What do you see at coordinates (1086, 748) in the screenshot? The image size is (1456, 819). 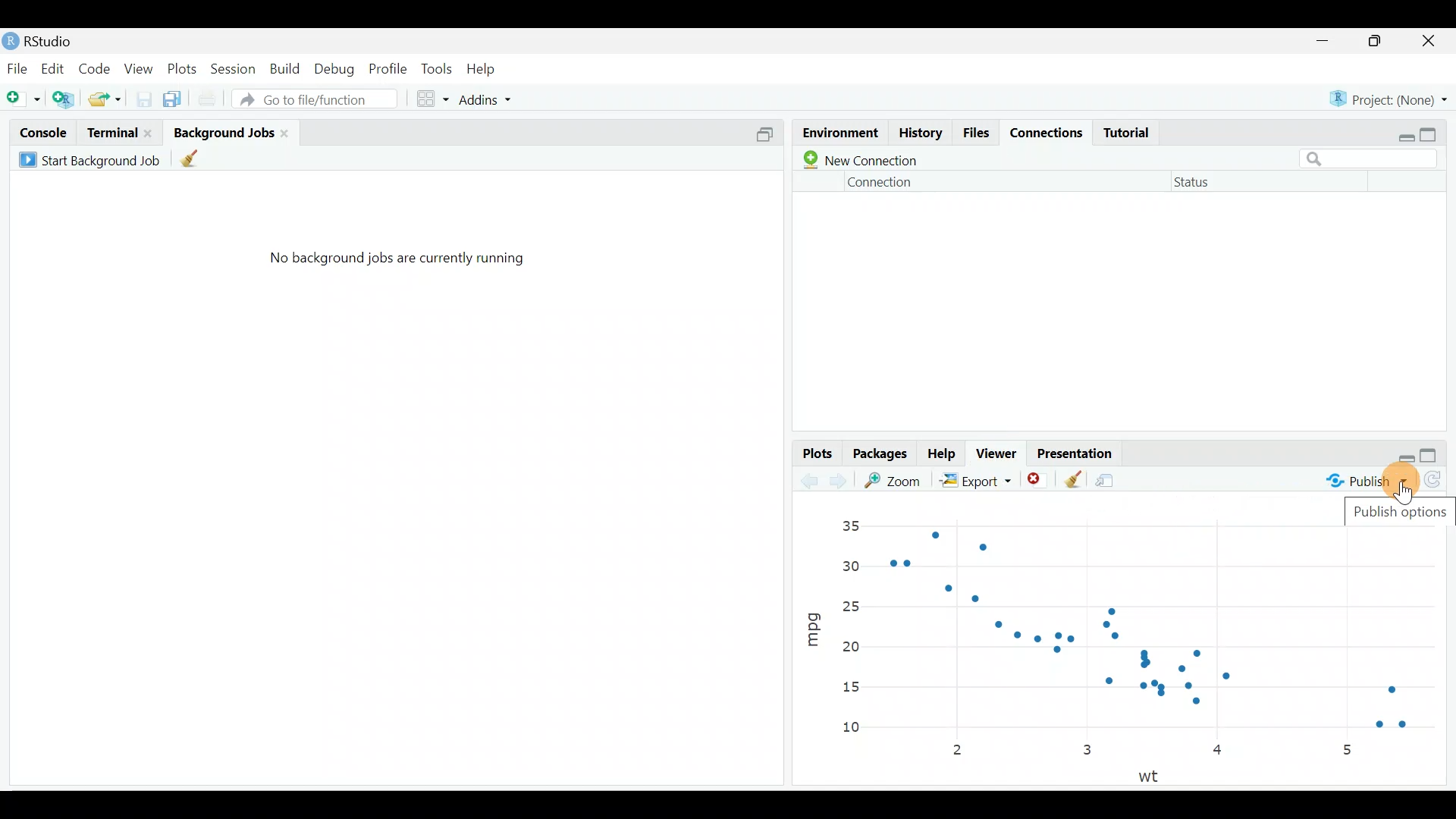 I see `3` at bounding box center [1086, 748].